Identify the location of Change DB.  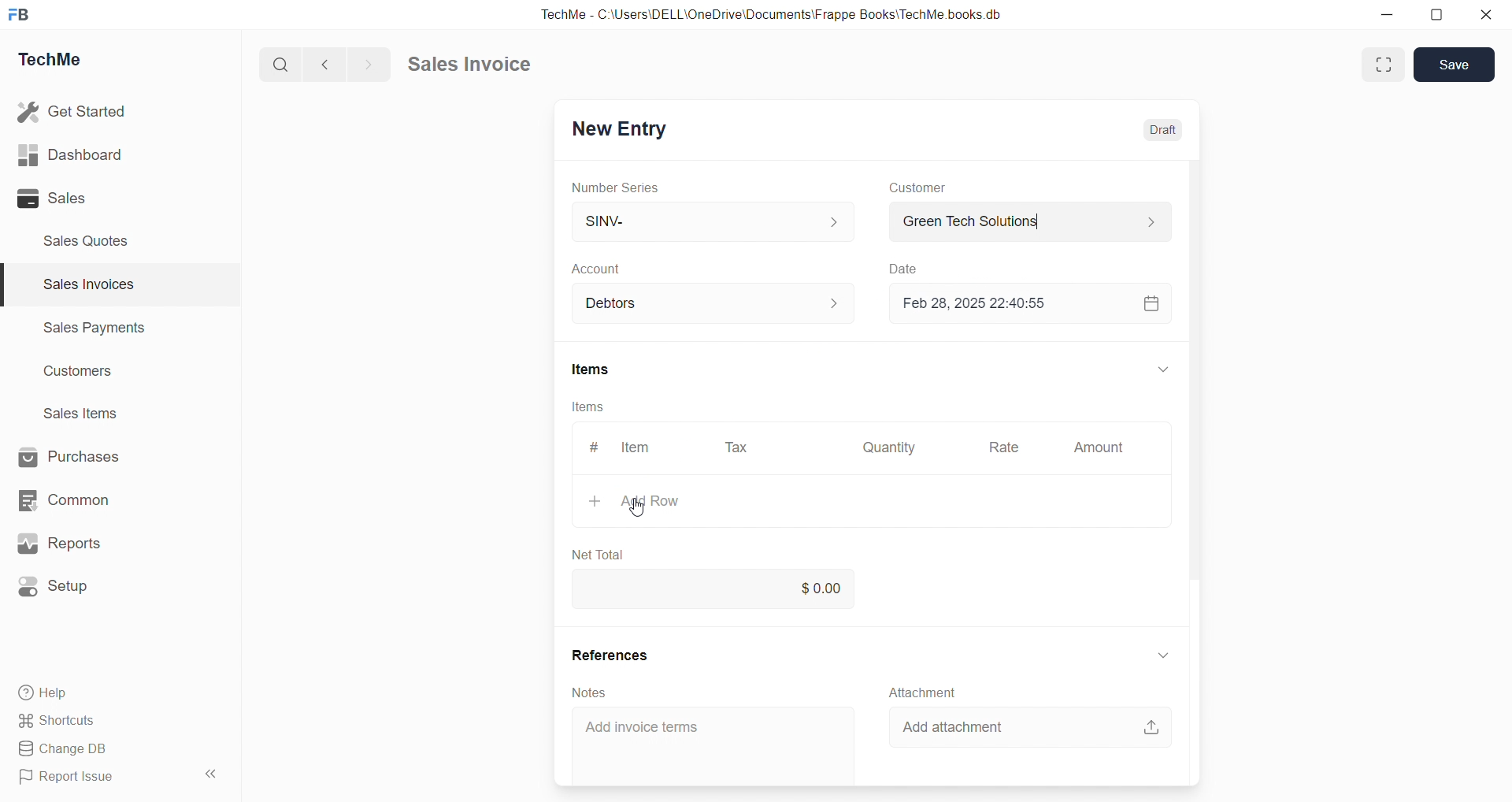
(69, 749).